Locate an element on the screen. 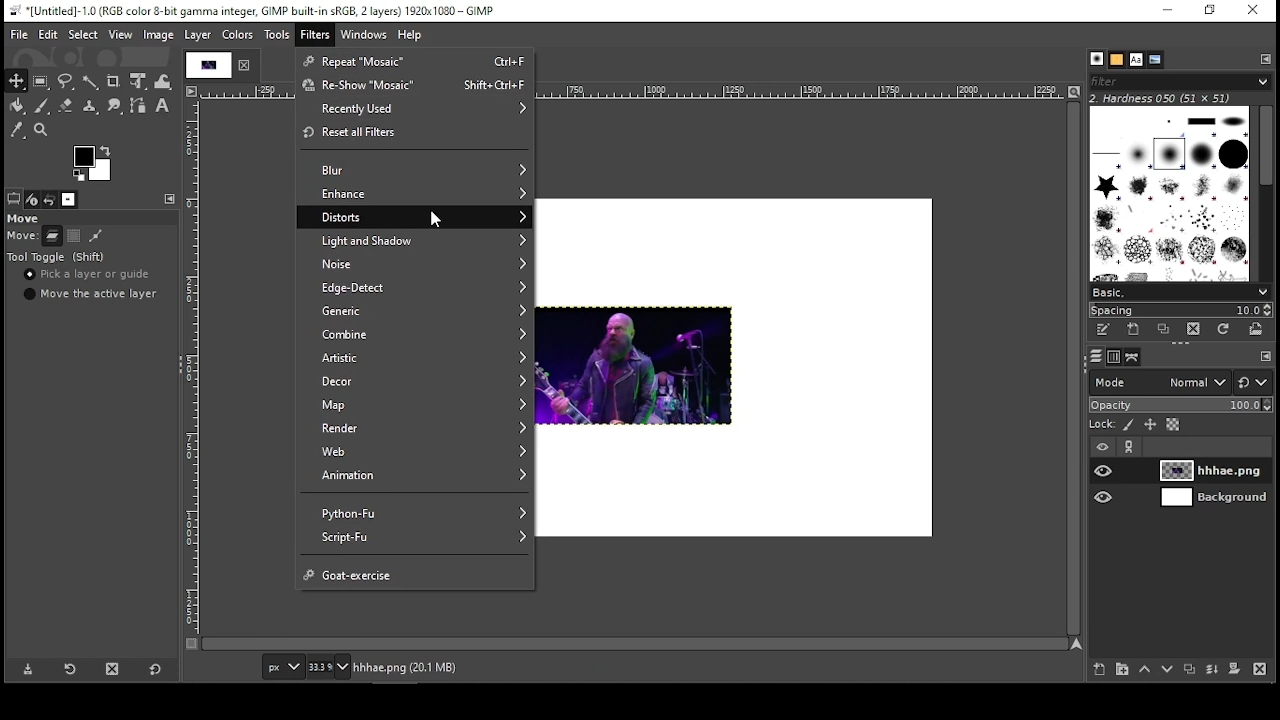  crop  tool is located at coordinates (114, 82).